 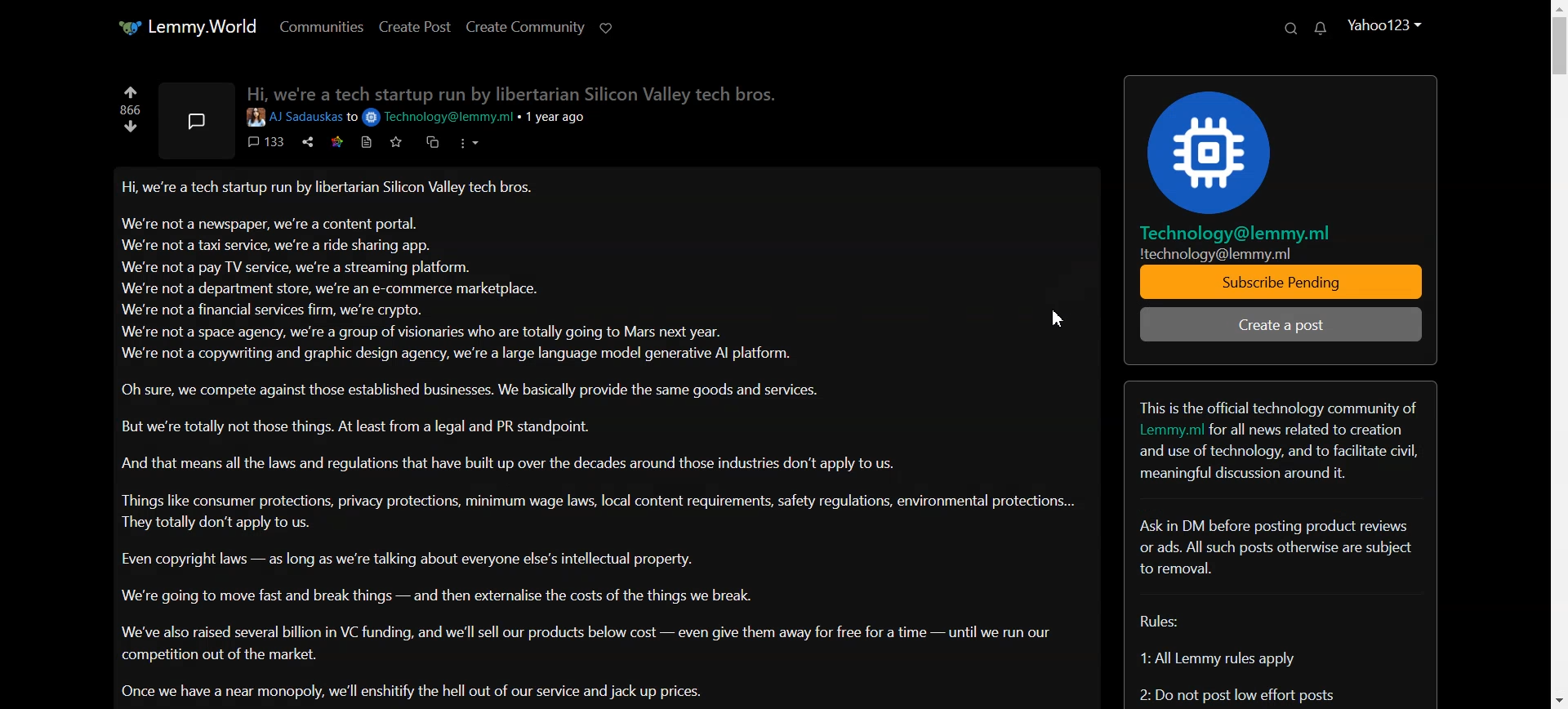 What do you see at coordinates (1558, 354) in the screenshot?
I see `scroll bar` at bounding box center [1558, 354].